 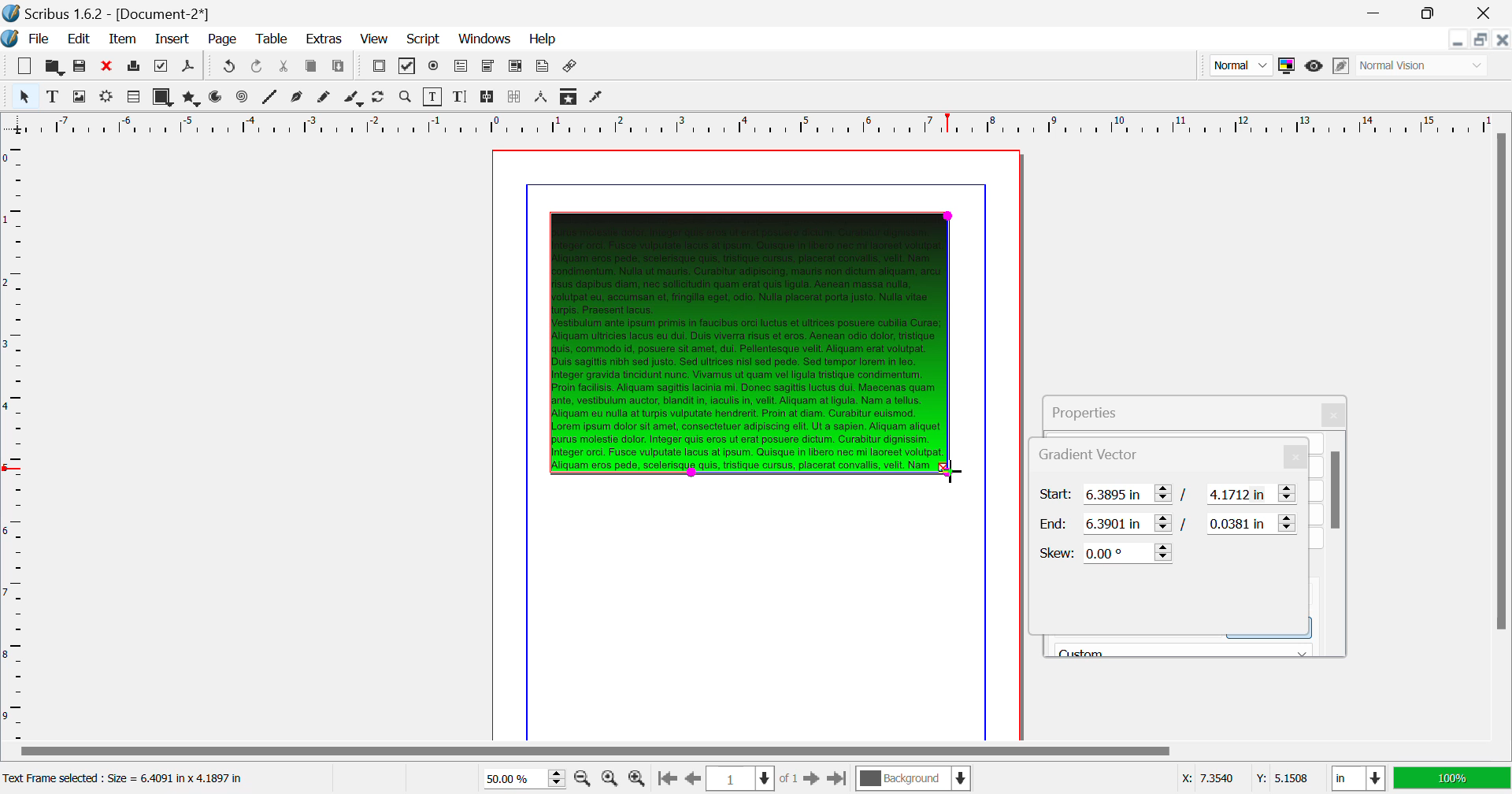 I want to click on Scroll Bar, so click(x=755, y=752).